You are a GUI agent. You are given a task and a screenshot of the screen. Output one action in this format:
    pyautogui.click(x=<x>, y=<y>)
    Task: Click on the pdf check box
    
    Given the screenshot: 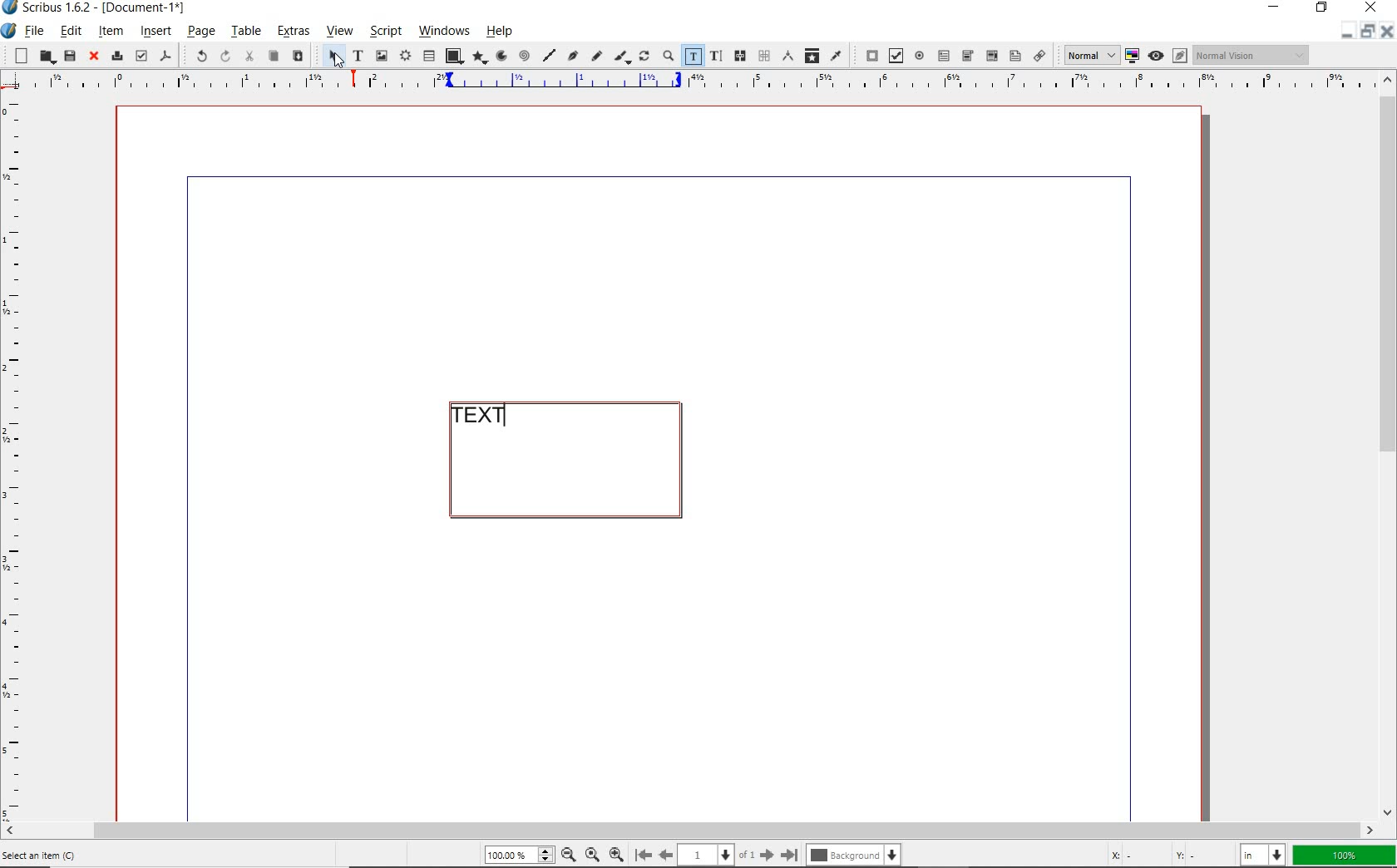 What is the action you would take?
    pyautogui.click(x=894, y=55)
    